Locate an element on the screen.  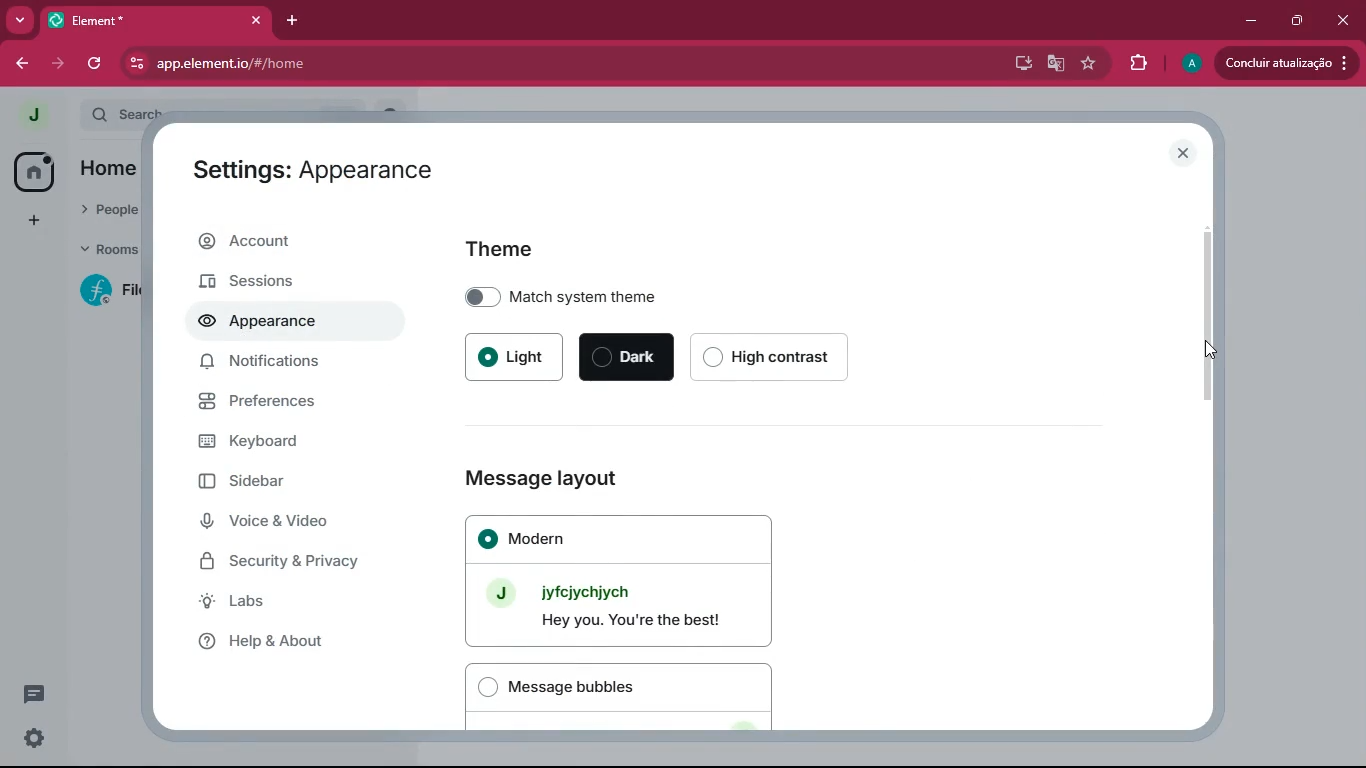
High contrast is located at coordinates (773, 358).